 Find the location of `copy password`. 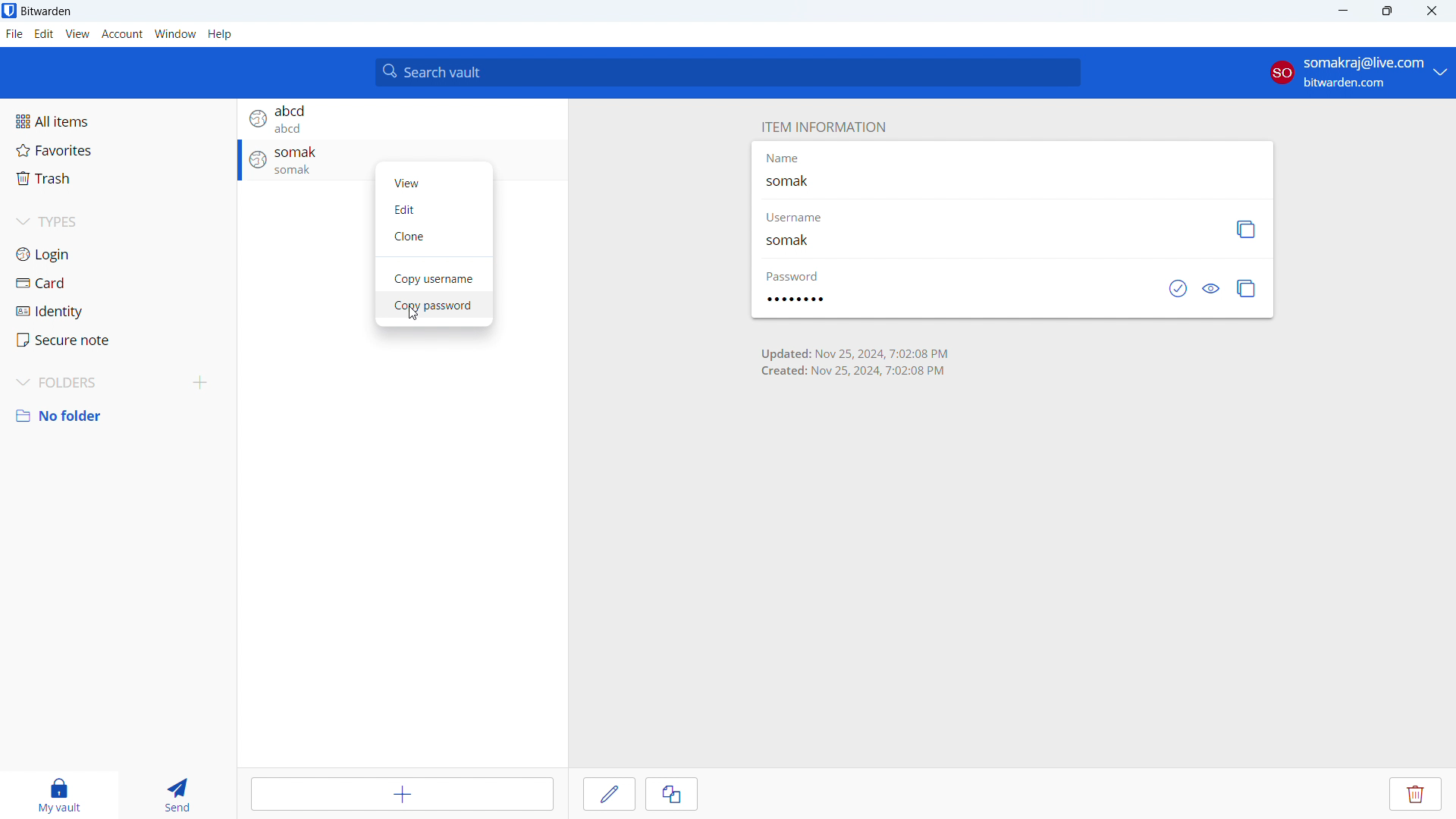

copy password is located at coordinates (432, 306).